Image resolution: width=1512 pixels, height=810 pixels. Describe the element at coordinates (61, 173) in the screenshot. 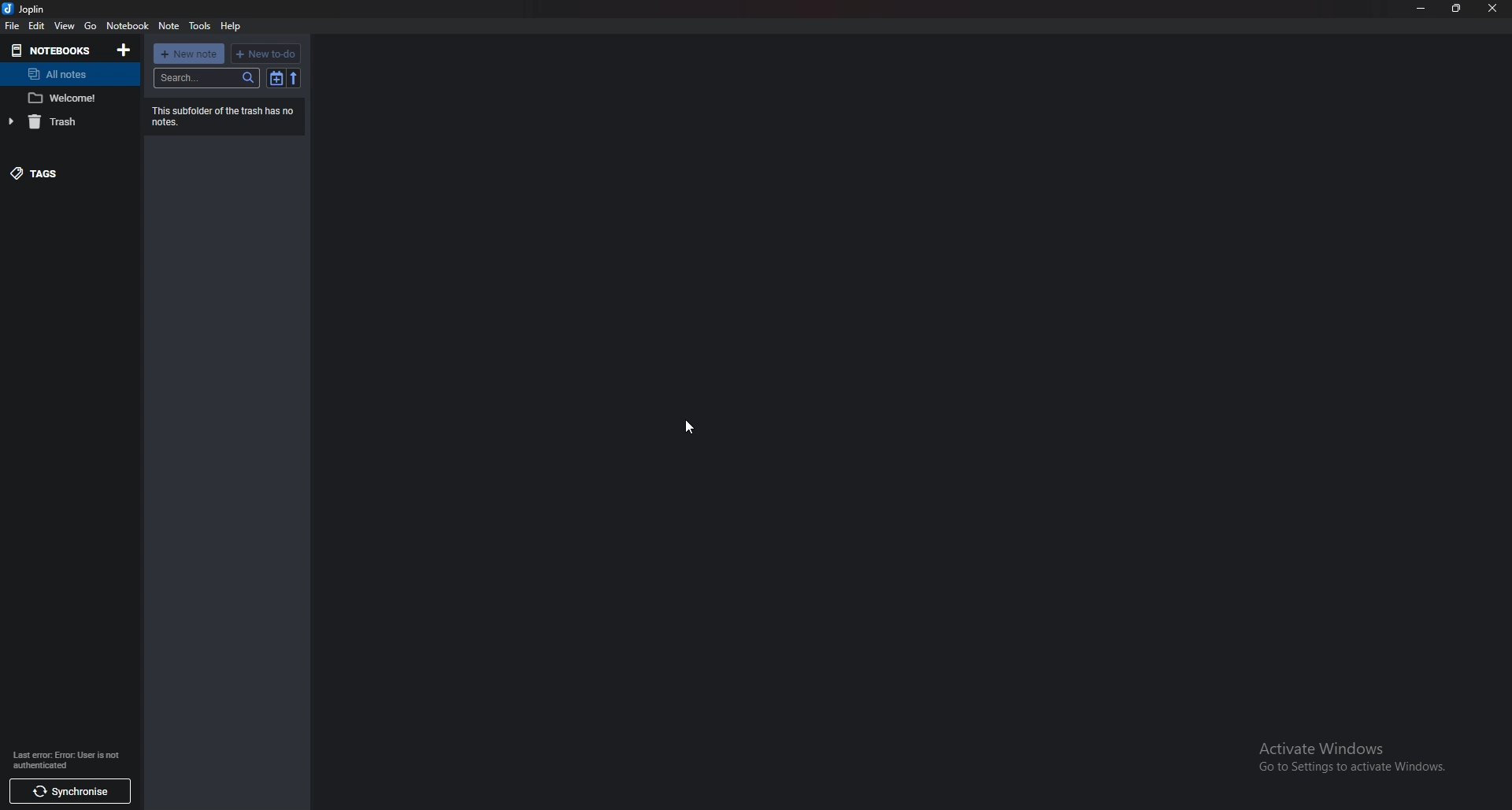

I see `tags` at that location.